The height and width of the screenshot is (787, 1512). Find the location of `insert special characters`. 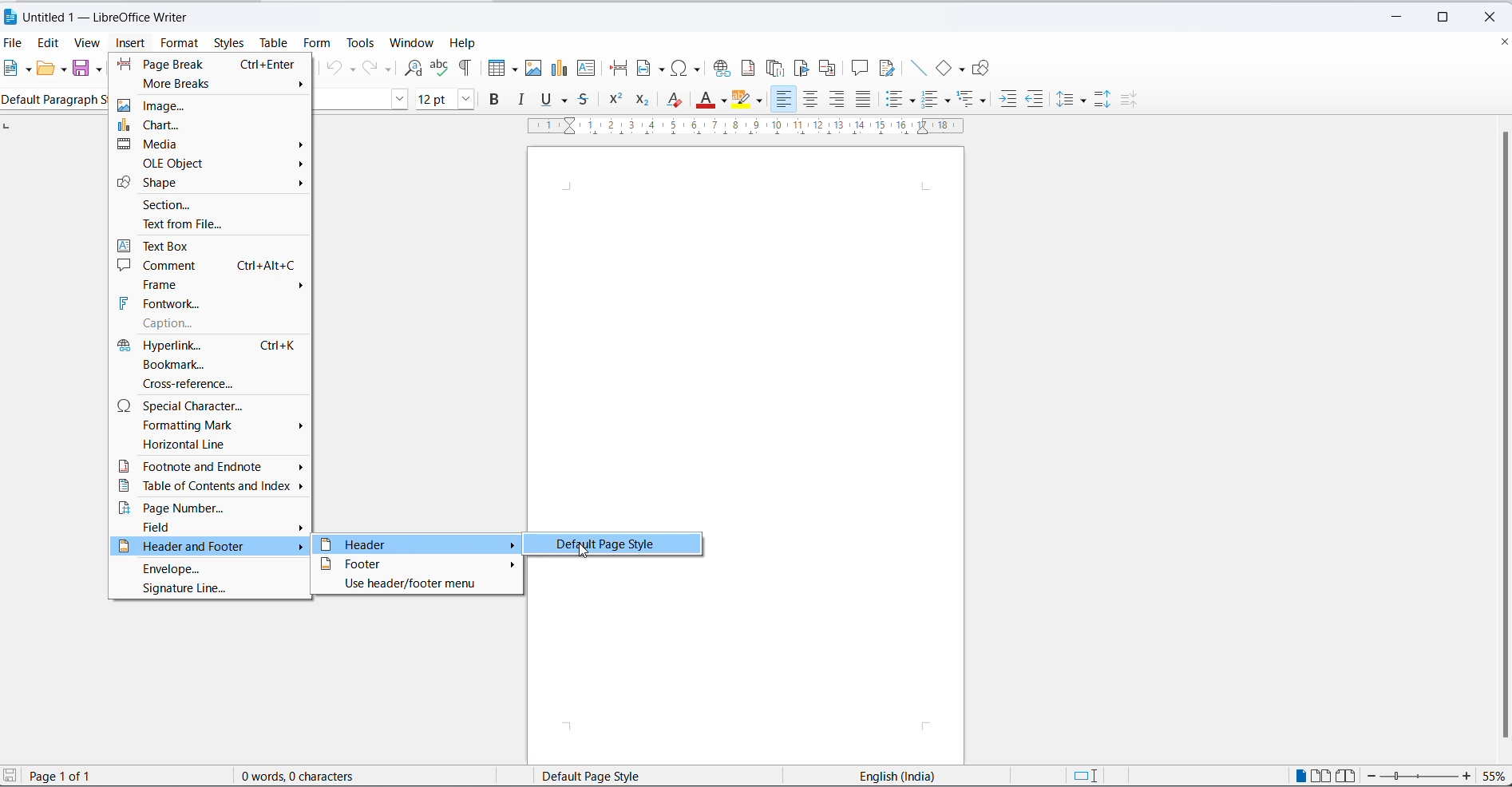

insert special characters is located at coordinates (688, 68).